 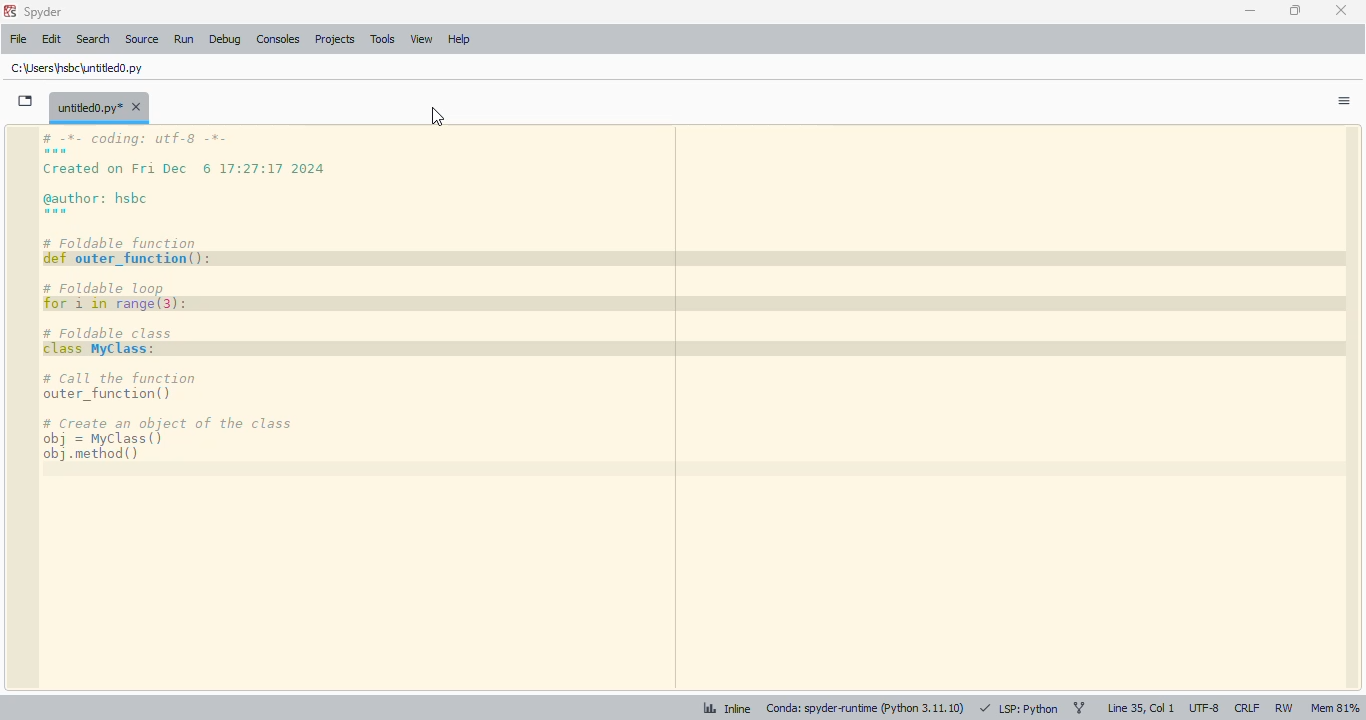 What do you see at coordinates (224, 39) in the screenshot?
I see `debug` at bounding box center [224, 39].